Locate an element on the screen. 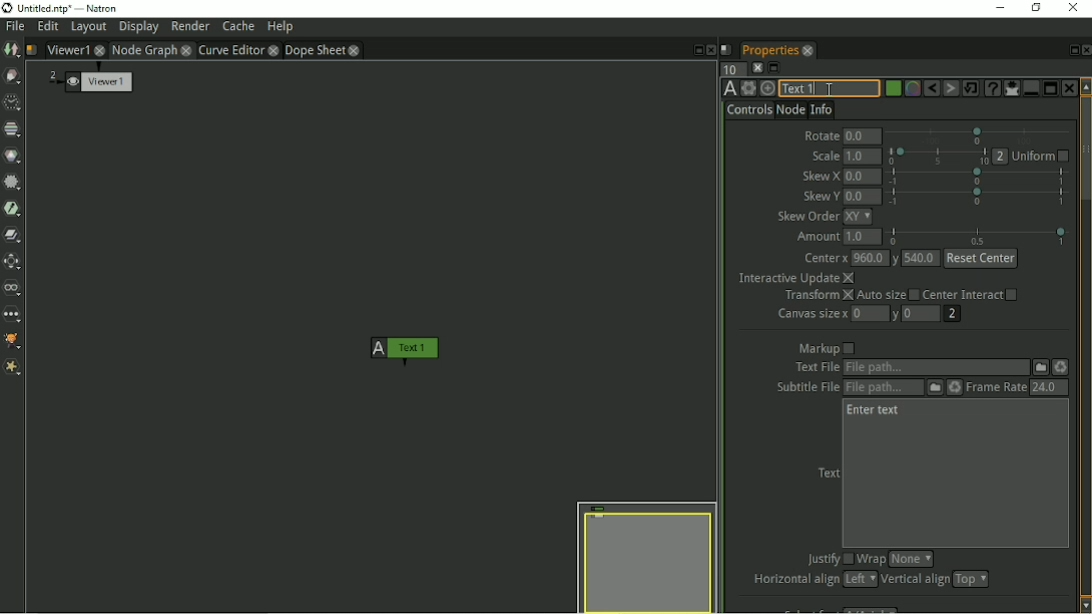  Rotate is located at coordinates (820, 134).